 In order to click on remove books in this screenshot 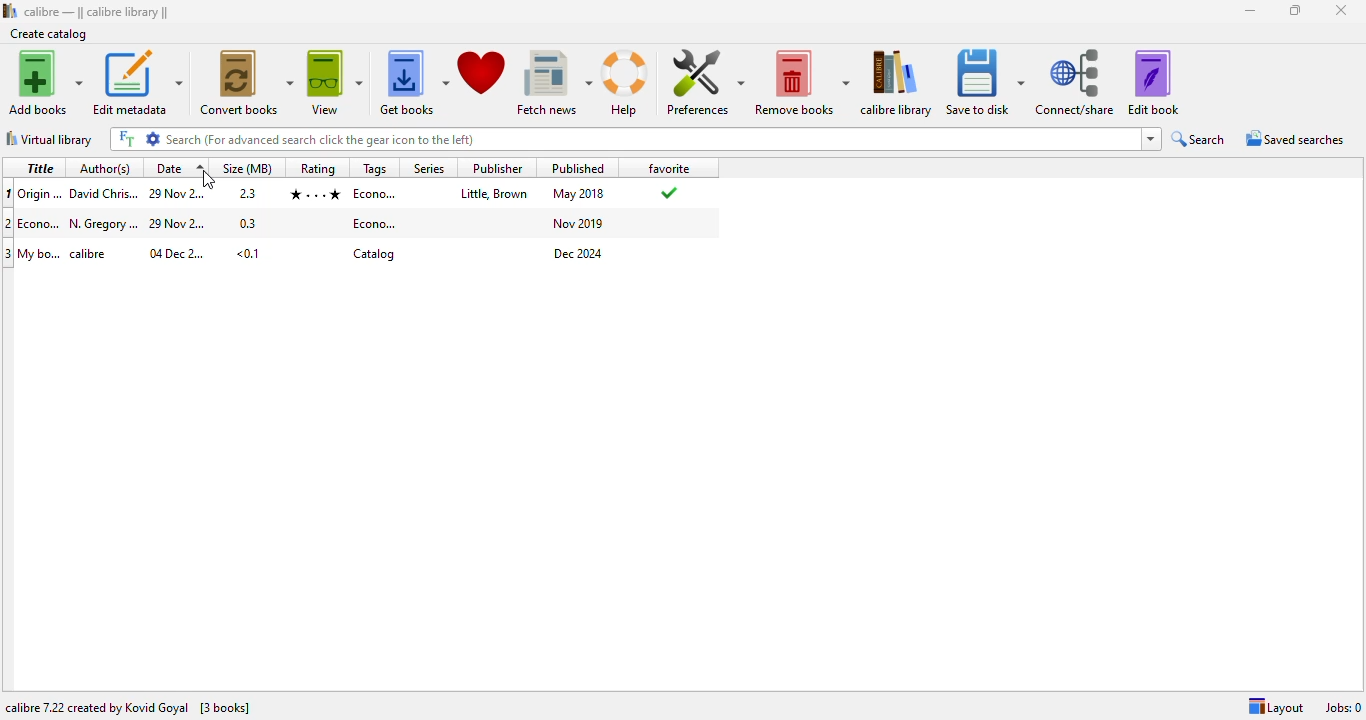, I will do `click(801, 83)`.